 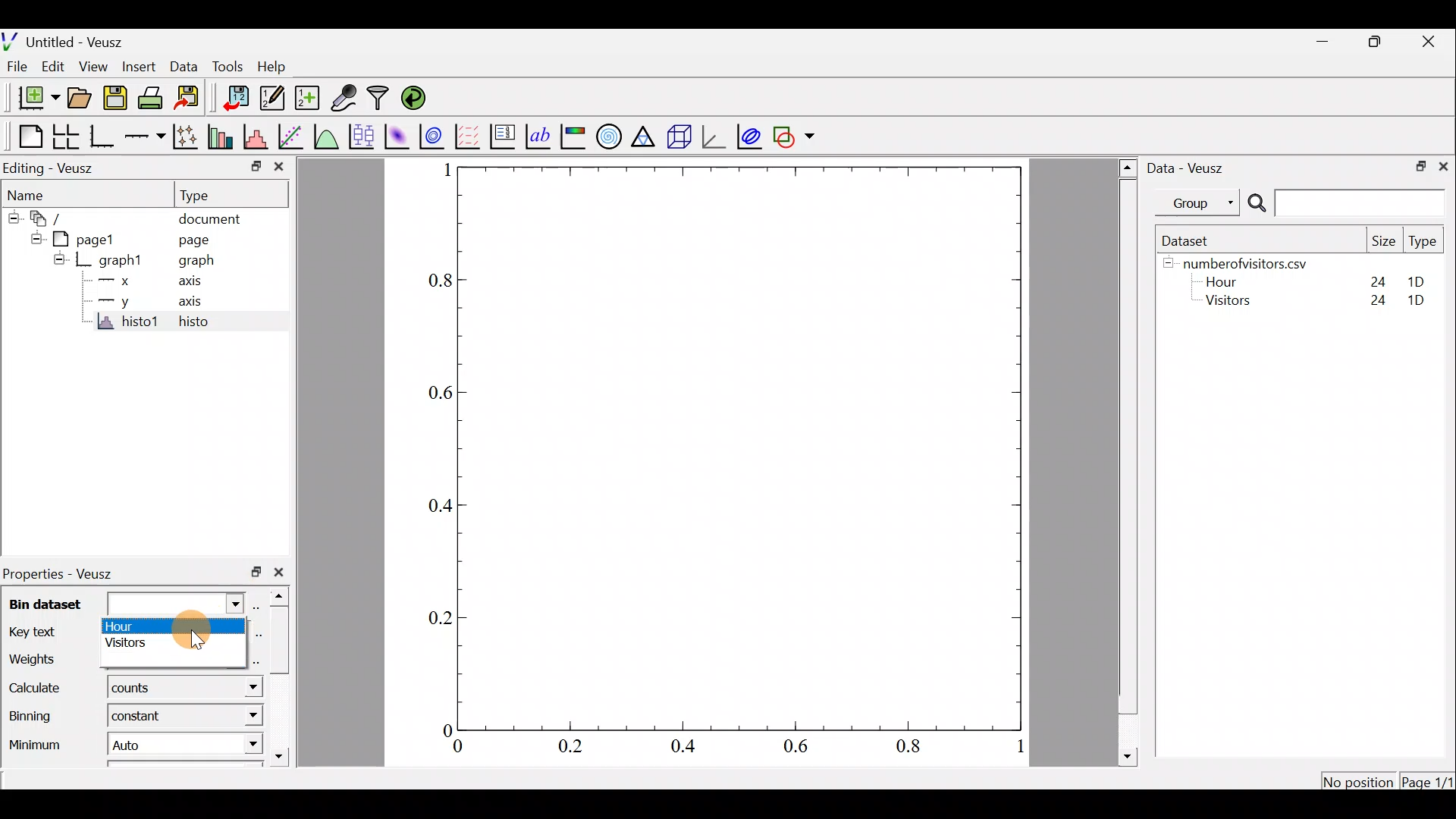 What do you see at coordinates (442, 502) in the screenshot?
I see `0.4` at bounding box center [442, 502].